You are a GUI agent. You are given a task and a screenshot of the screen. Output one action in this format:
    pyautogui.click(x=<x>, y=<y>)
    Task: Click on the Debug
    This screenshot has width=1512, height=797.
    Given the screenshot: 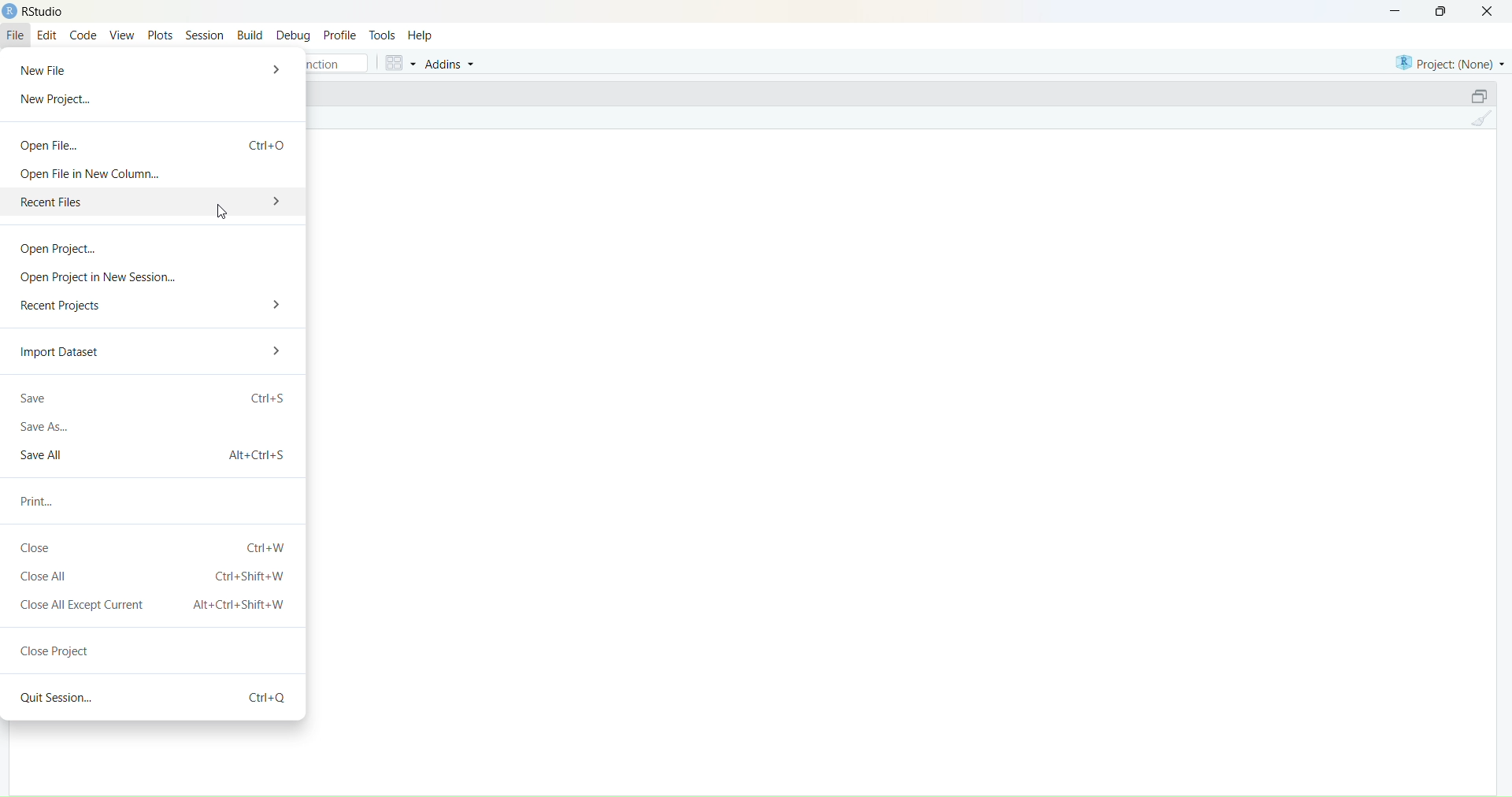 What is the action you would take?
    pyautogui.click(x=294, y=37)
    